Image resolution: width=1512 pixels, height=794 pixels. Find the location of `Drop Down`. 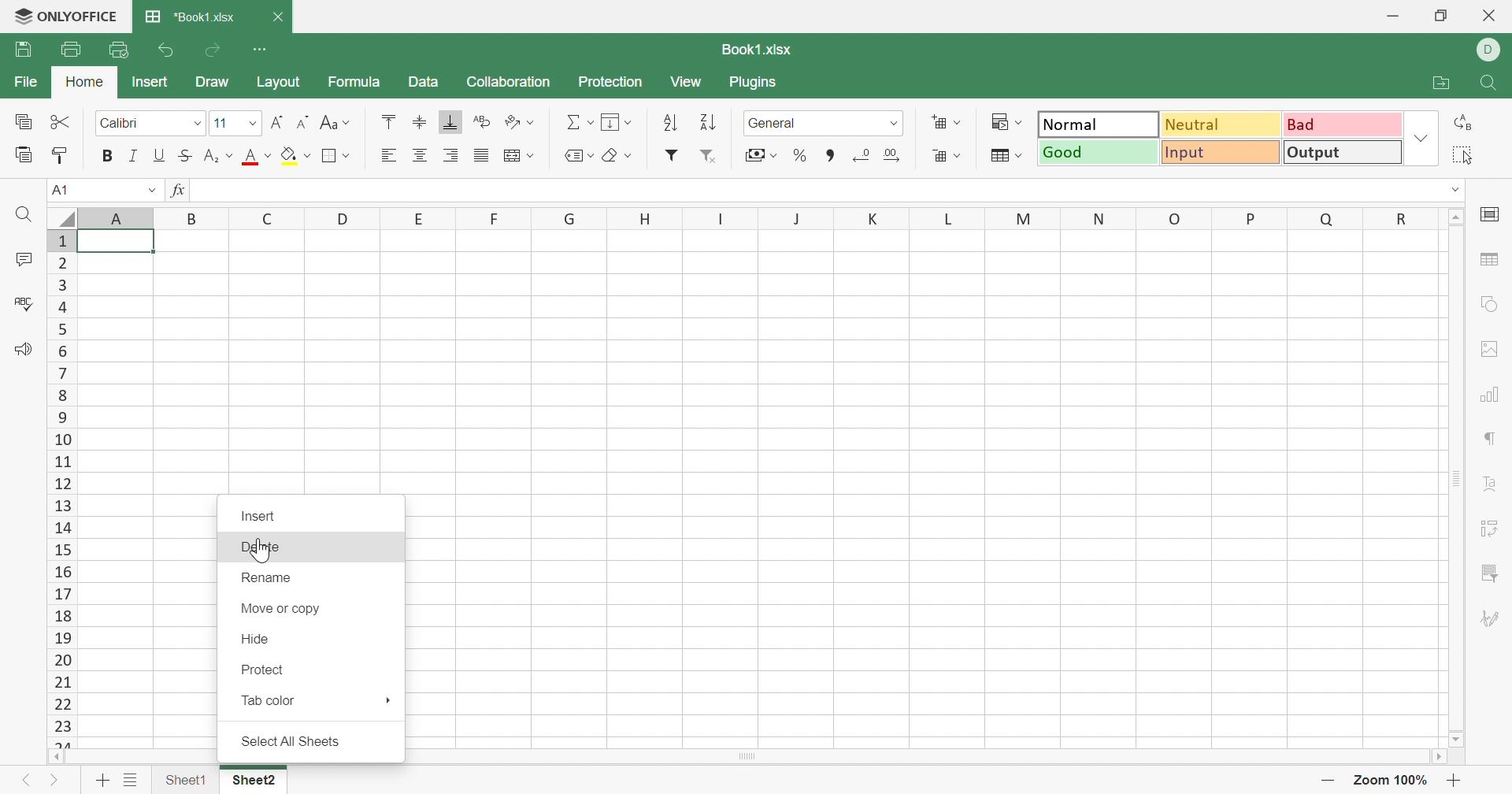

Drop Down is located at coordinates (775, 155).